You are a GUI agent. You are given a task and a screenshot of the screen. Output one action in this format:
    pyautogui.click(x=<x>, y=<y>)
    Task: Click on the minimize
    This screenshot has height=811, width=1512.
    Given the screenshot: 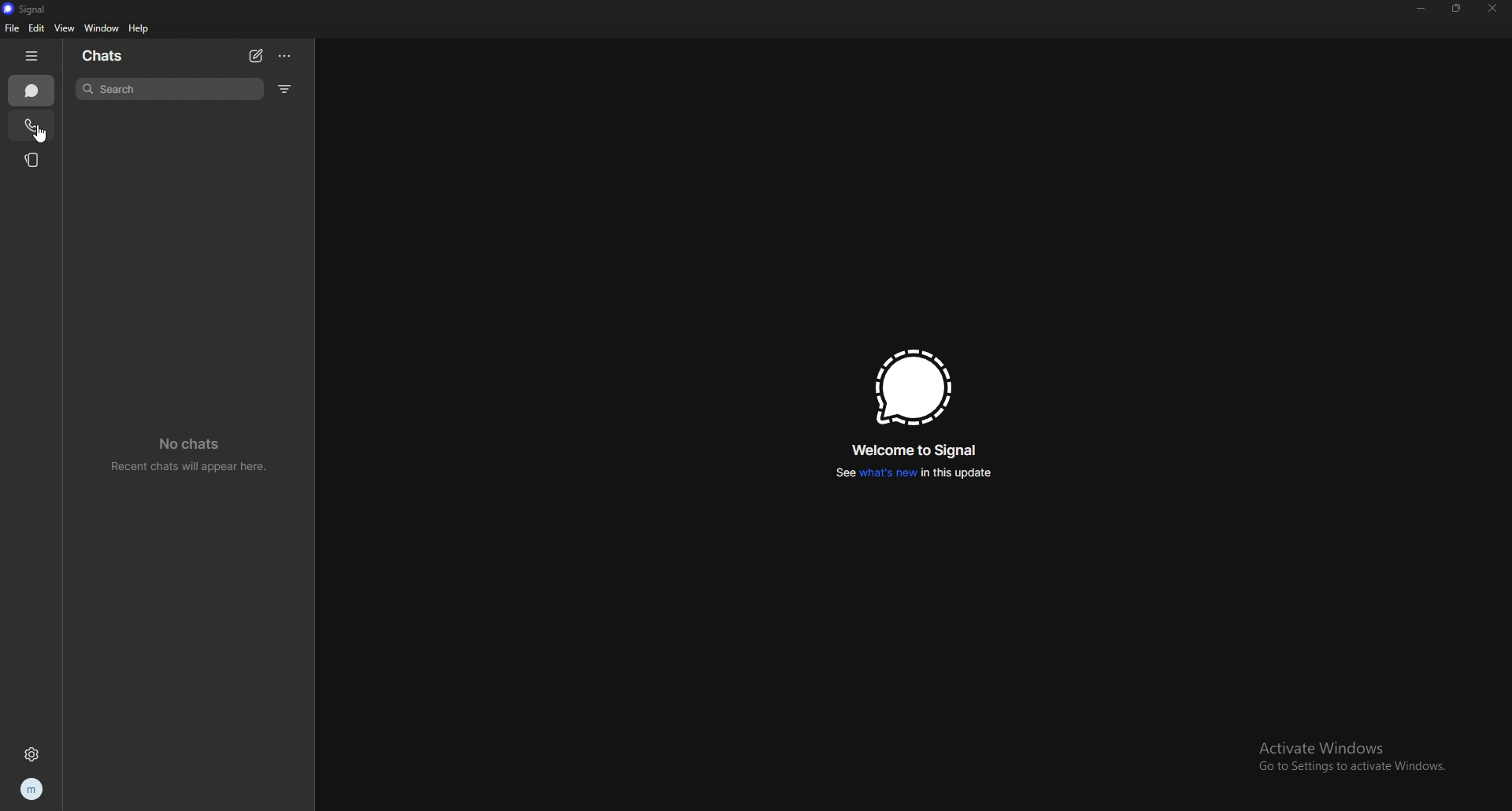 What is the action you would take?
    pyautogui.click(x=1421, y=8)
    